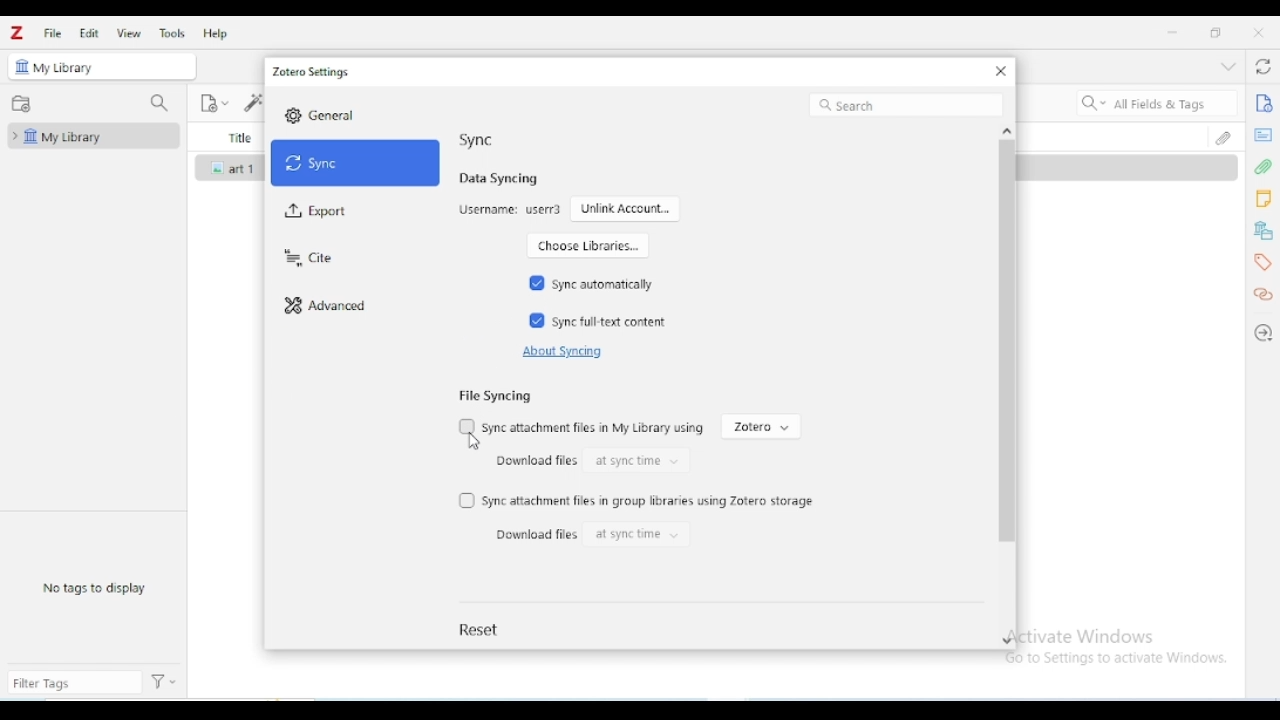  What do you see at coordinates (533, 460) in the screenshot?
I see `download files` at bounding box center [533, 460].